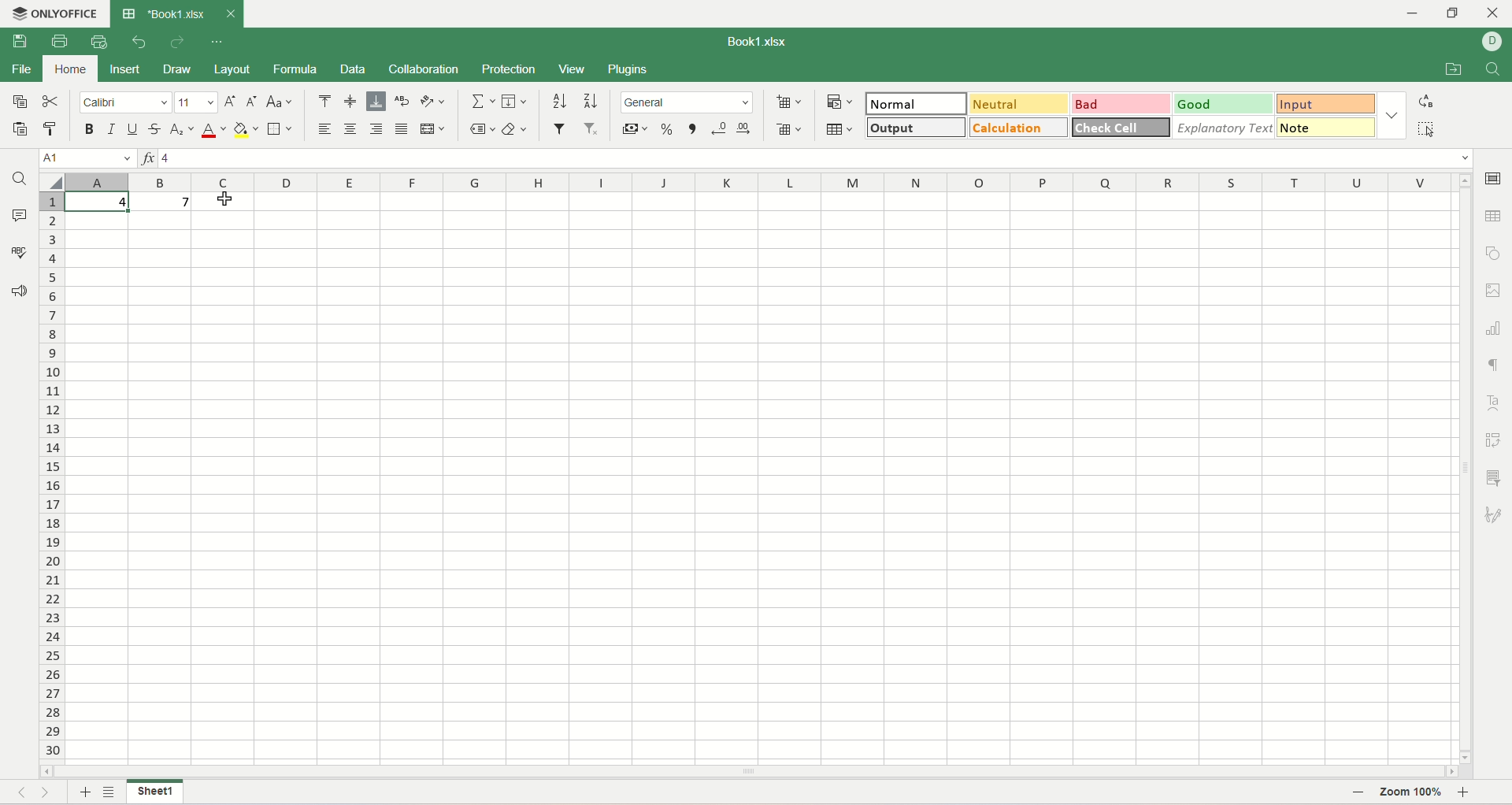 The width and height of the screenshot is (1512, 805). What do you see at coordinates (1497, 515) in the screenshot?
I see `signature settings` at bounding box center [1497, 515].